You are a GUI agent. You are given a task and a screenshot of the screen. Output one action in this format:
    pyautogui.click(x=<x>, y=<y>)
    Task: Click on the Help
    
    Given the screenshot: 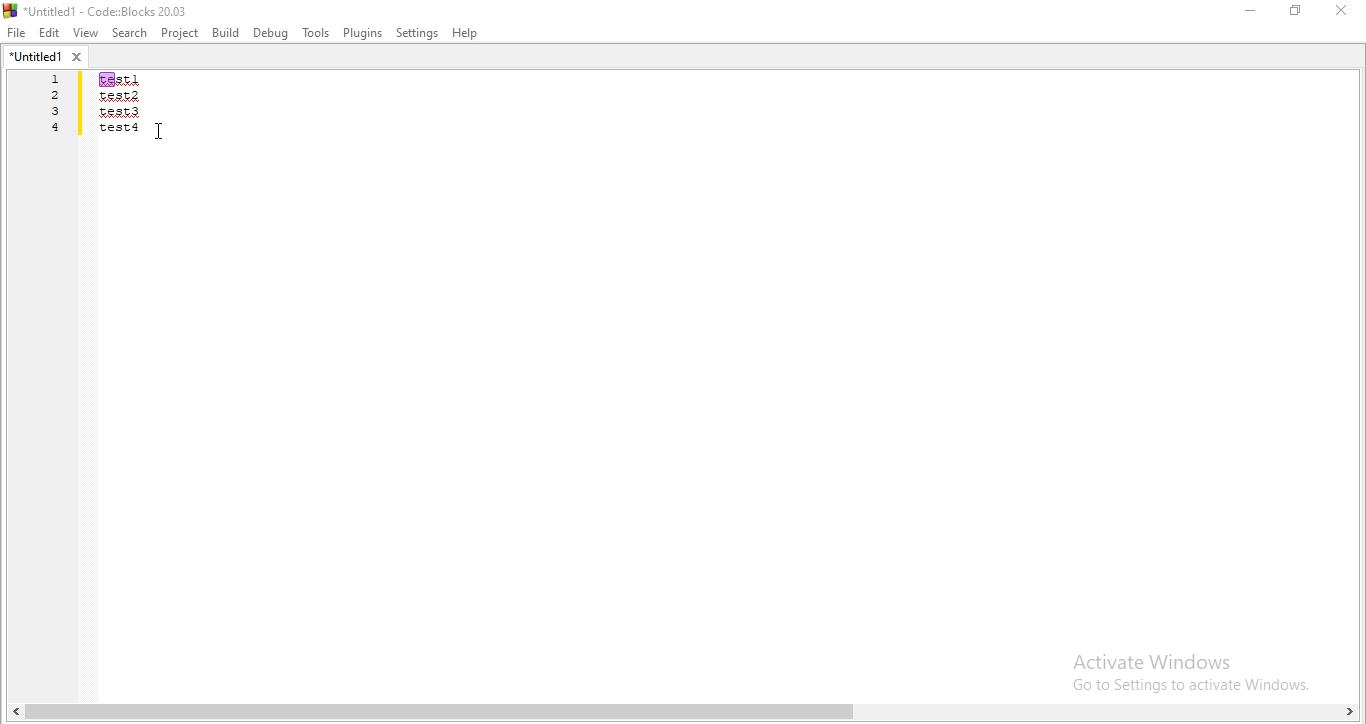 What is the action you would take?
    pyautogui.click(x=469, y=35)
    